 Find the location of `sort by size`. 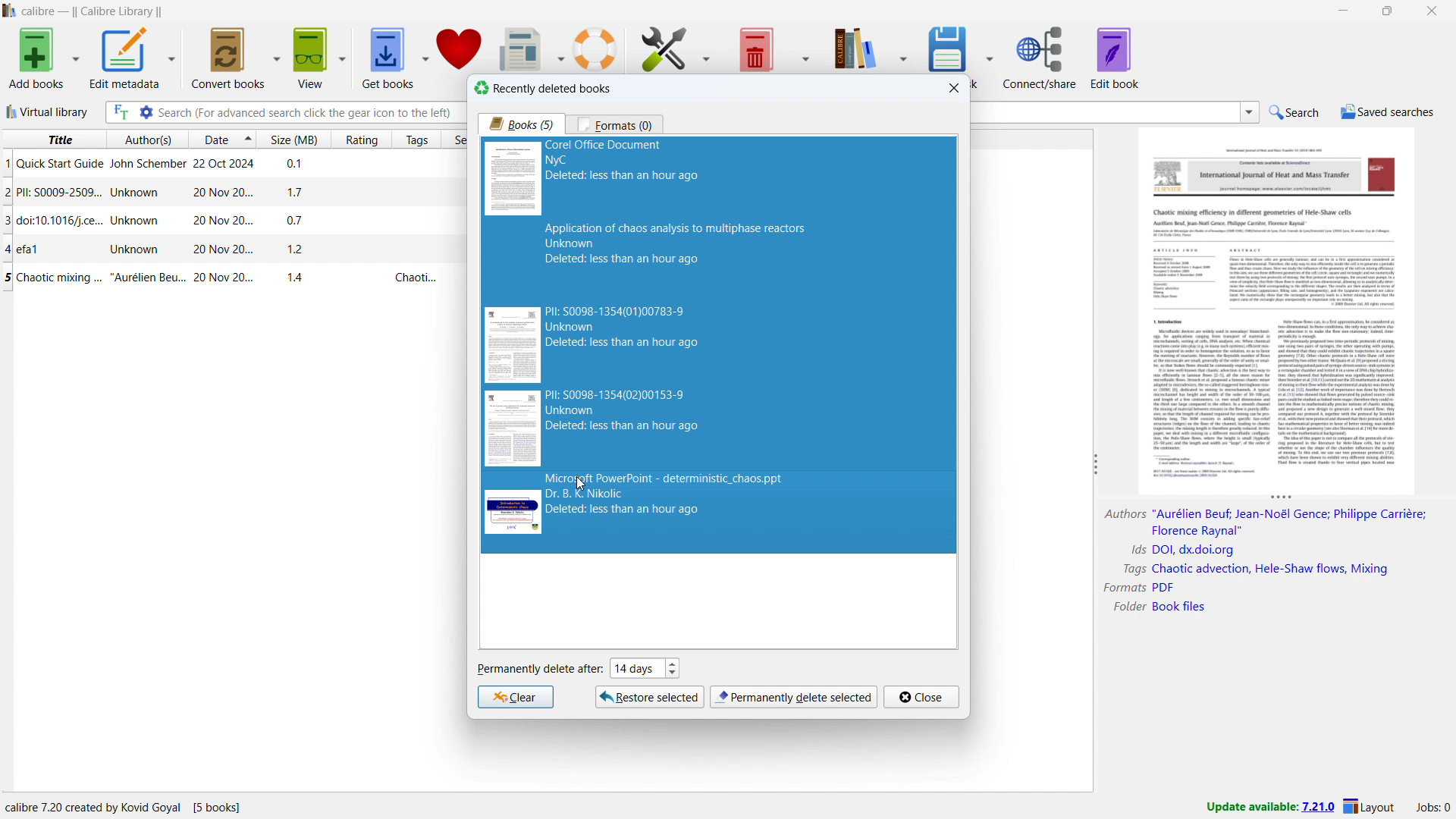

sort by size is located at coordinates (293, 138).